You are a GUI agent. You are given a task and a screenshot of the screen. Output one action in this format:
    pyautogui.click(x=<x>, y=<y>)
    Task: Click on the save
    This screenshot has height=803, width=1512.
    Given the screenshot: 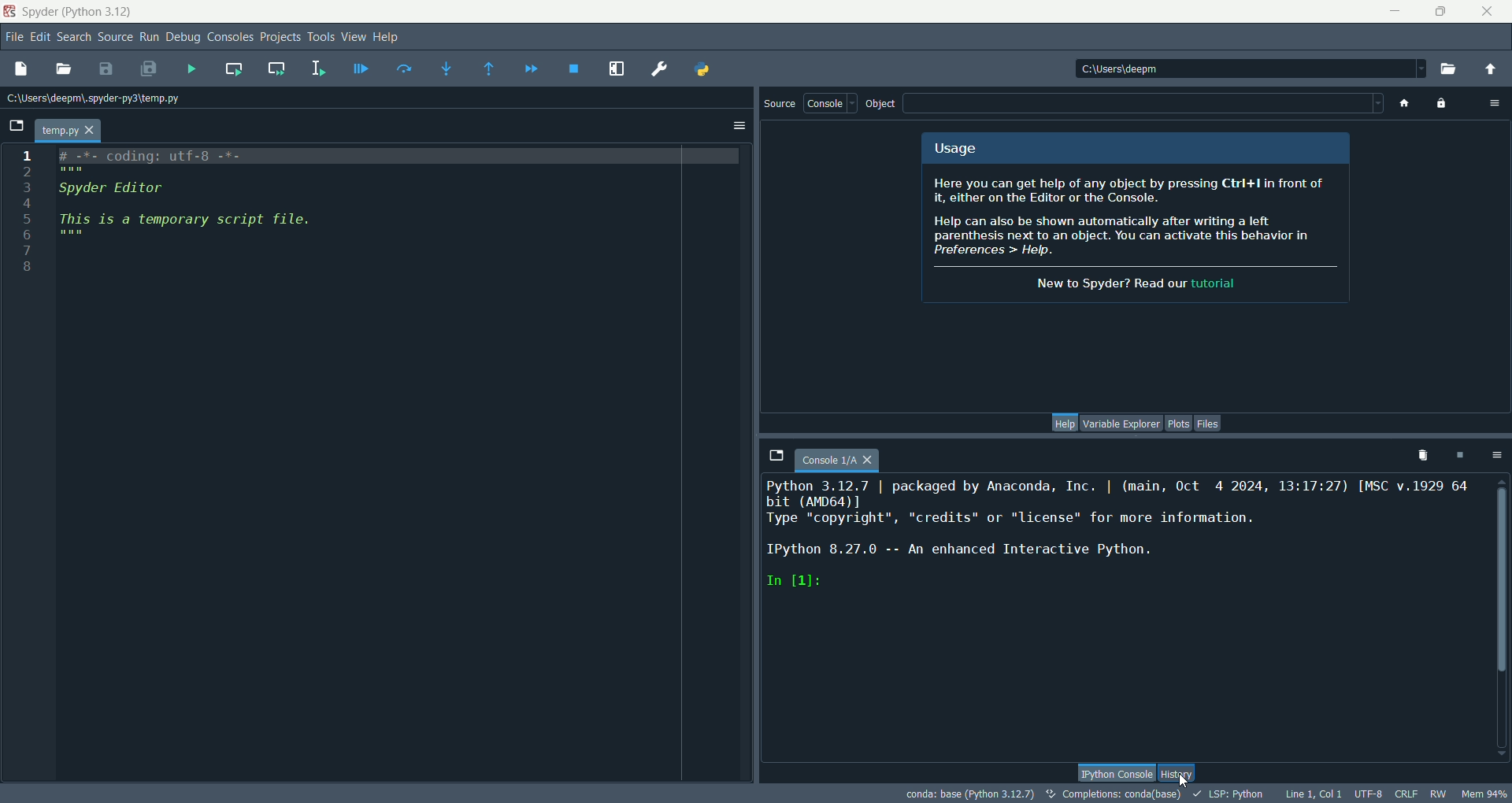 What is the action you would take?
    pyautogui.click(x=106, y=69)
    